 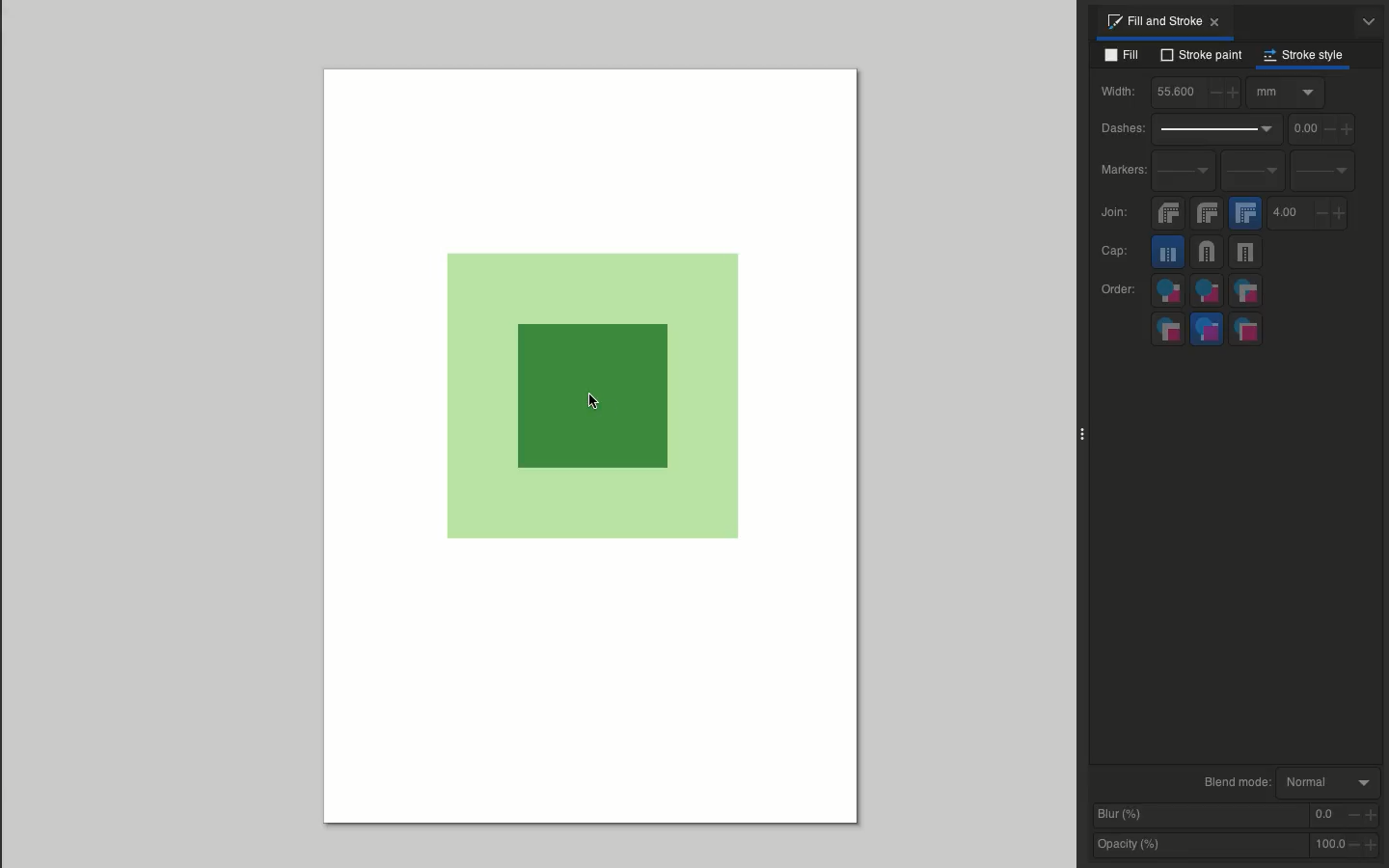 I want to click on Fill and stroke, so click(x=1162, y=21).